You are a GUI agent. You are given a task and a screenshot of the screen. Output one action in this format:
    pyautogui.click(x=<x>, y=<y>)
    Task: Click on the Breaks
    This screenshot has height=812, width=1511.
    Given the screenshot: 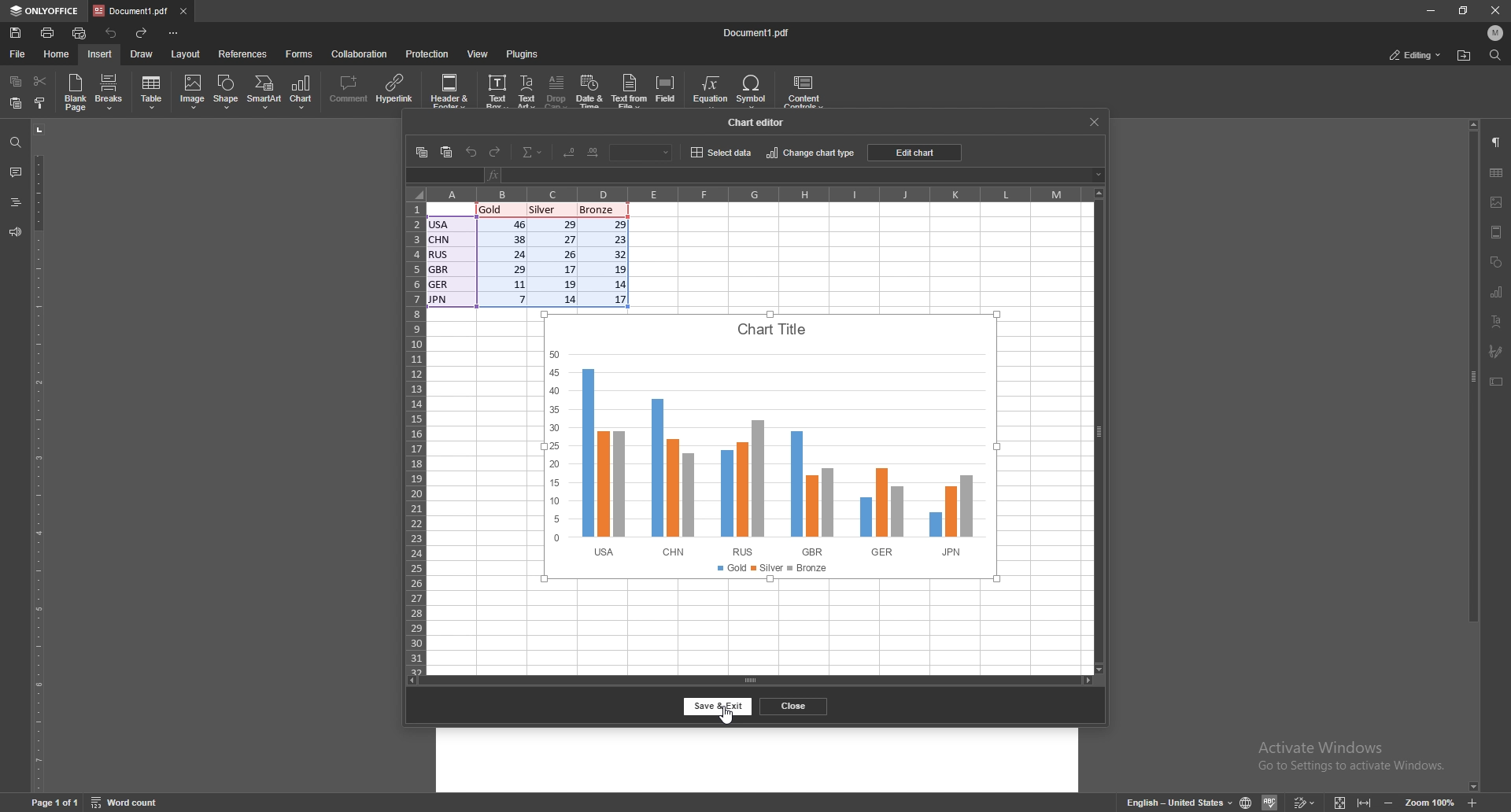 What is the action you would take?
    pyautogui.click(x=112, y=94)
    